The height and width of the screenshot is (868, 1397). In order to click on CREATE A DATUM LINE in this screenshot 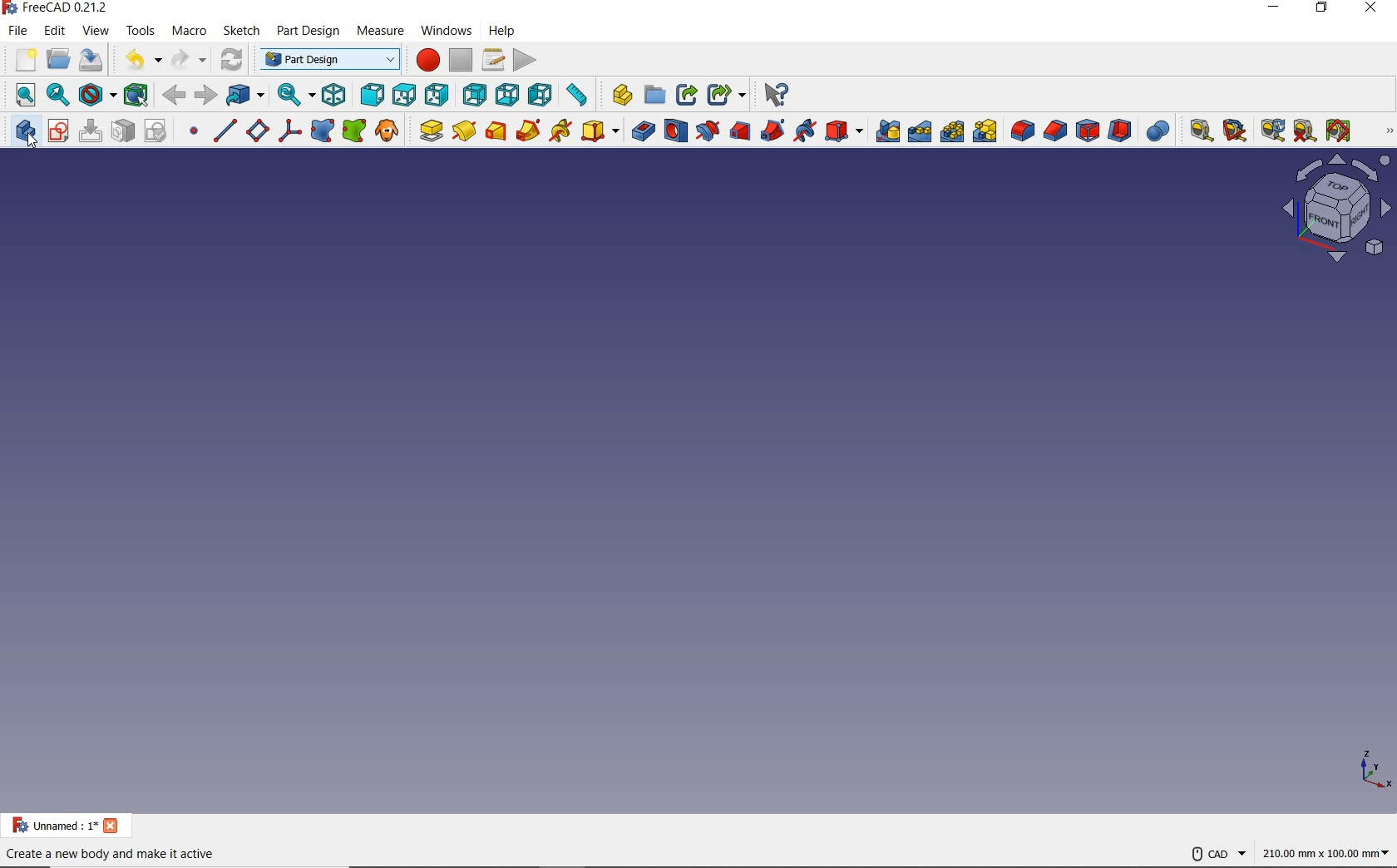, I will do `click(225, 131)`.